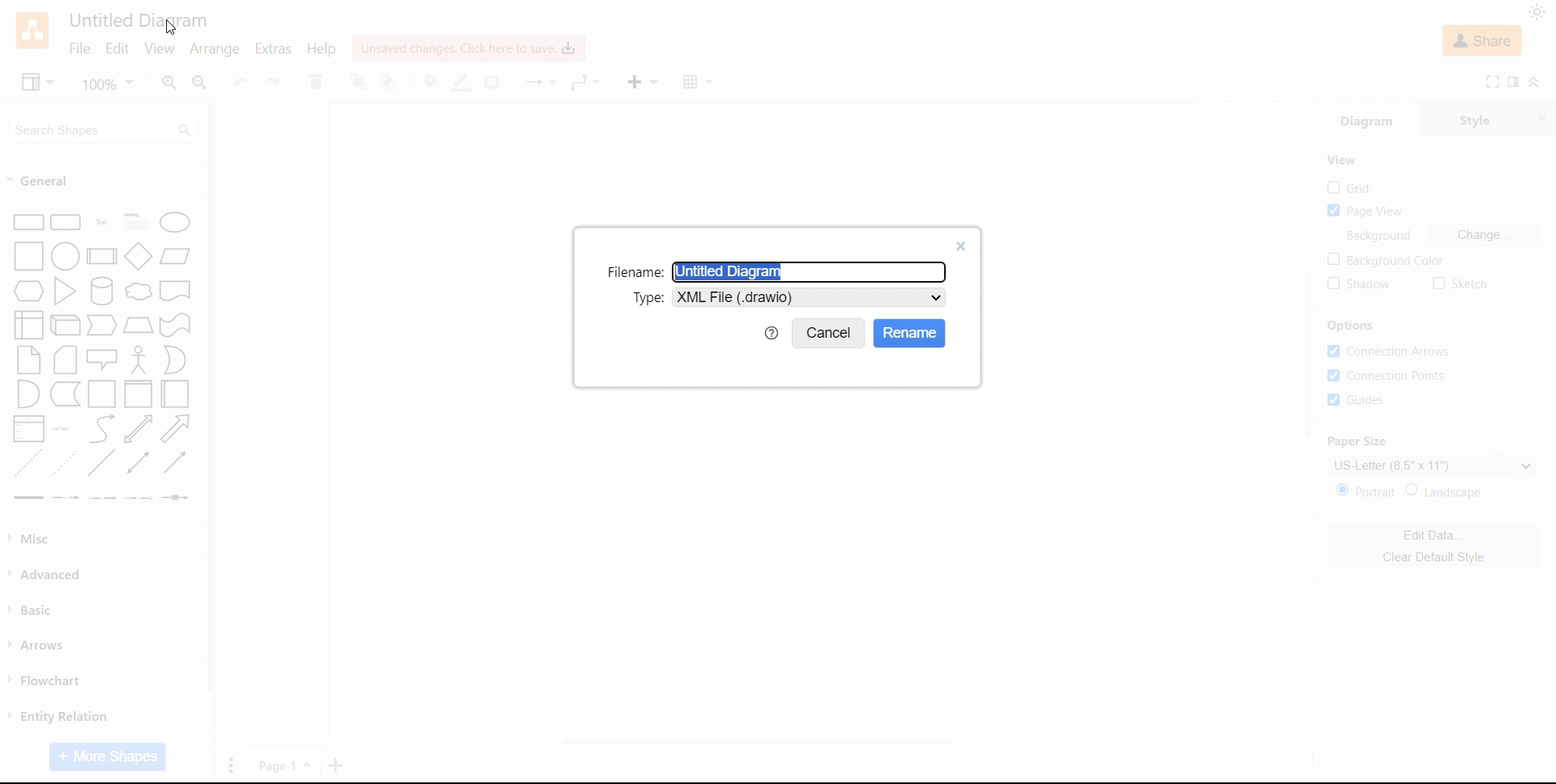 The height and width of the screenshot is (784, 1556). Describe the element at coordinates (158, 49) in the screenshot. I see `view ` at that location.